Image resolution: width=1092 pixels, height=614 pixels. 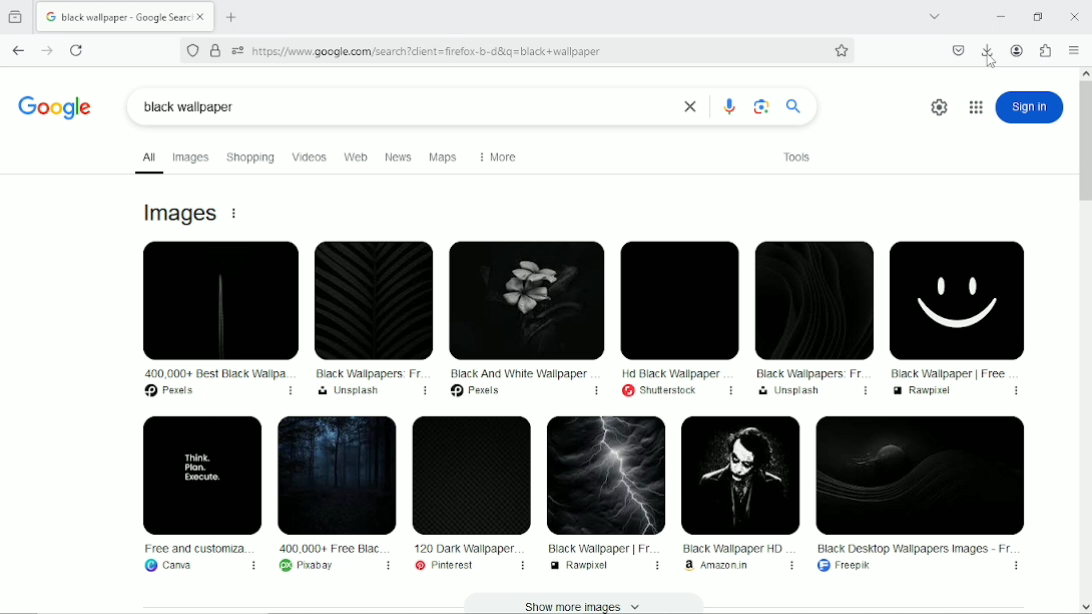 What do you see at coordinates (428, 51) in the screenshot?
I see `https://www.google.com/search?dient =firefox-b-d&ig=black +wallpaper` at bounding box center [428, 51].